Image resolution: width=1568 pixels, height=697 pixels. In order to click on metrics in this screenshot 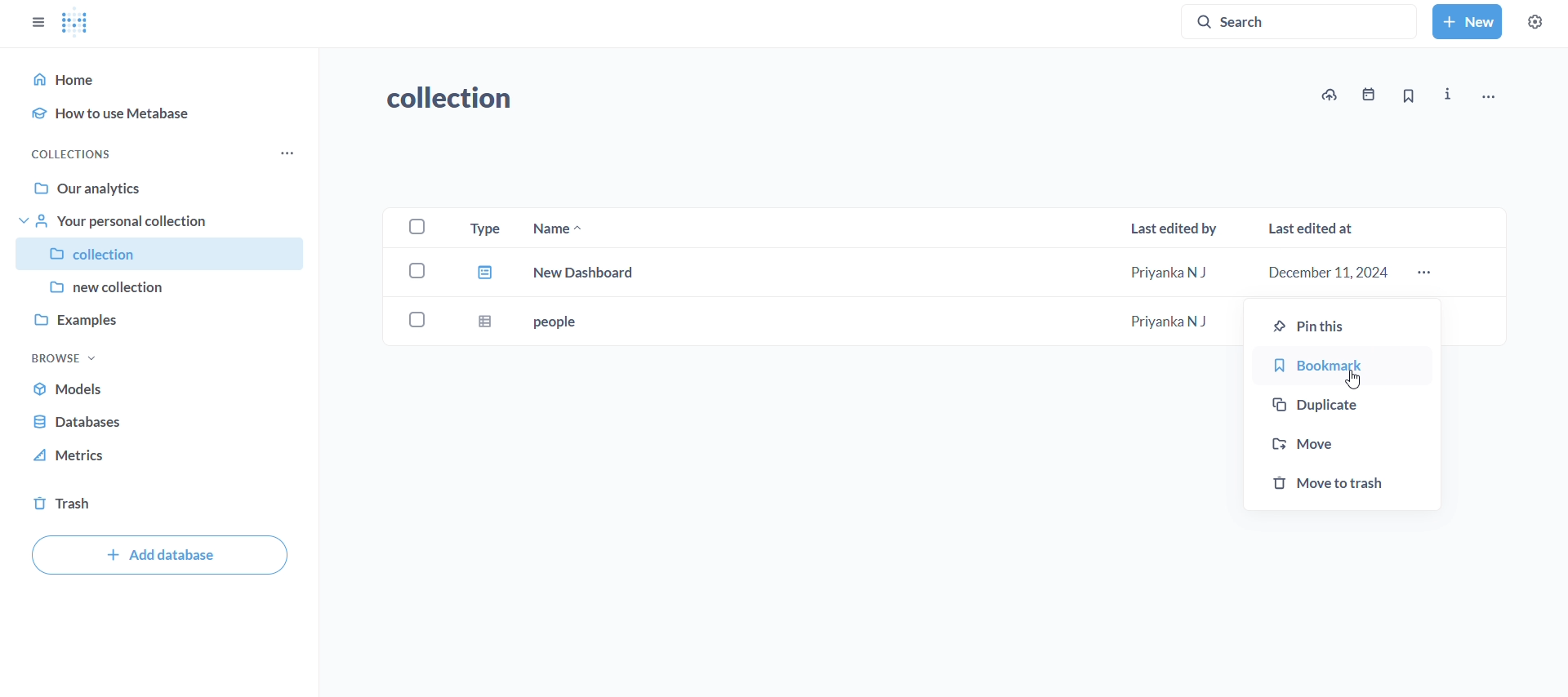, I will do `click(74, 456)`.